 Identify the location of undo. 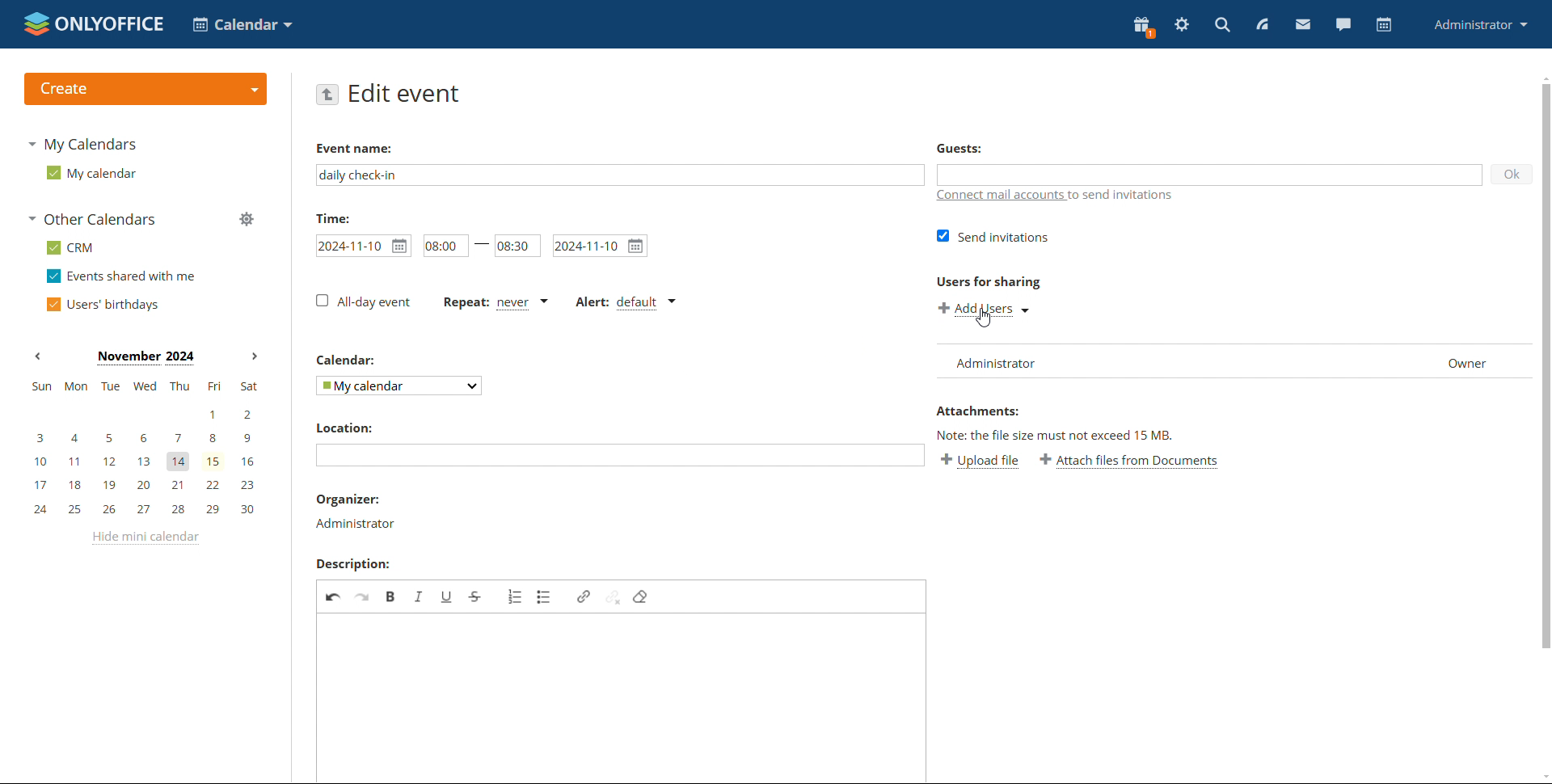
(334, 595).